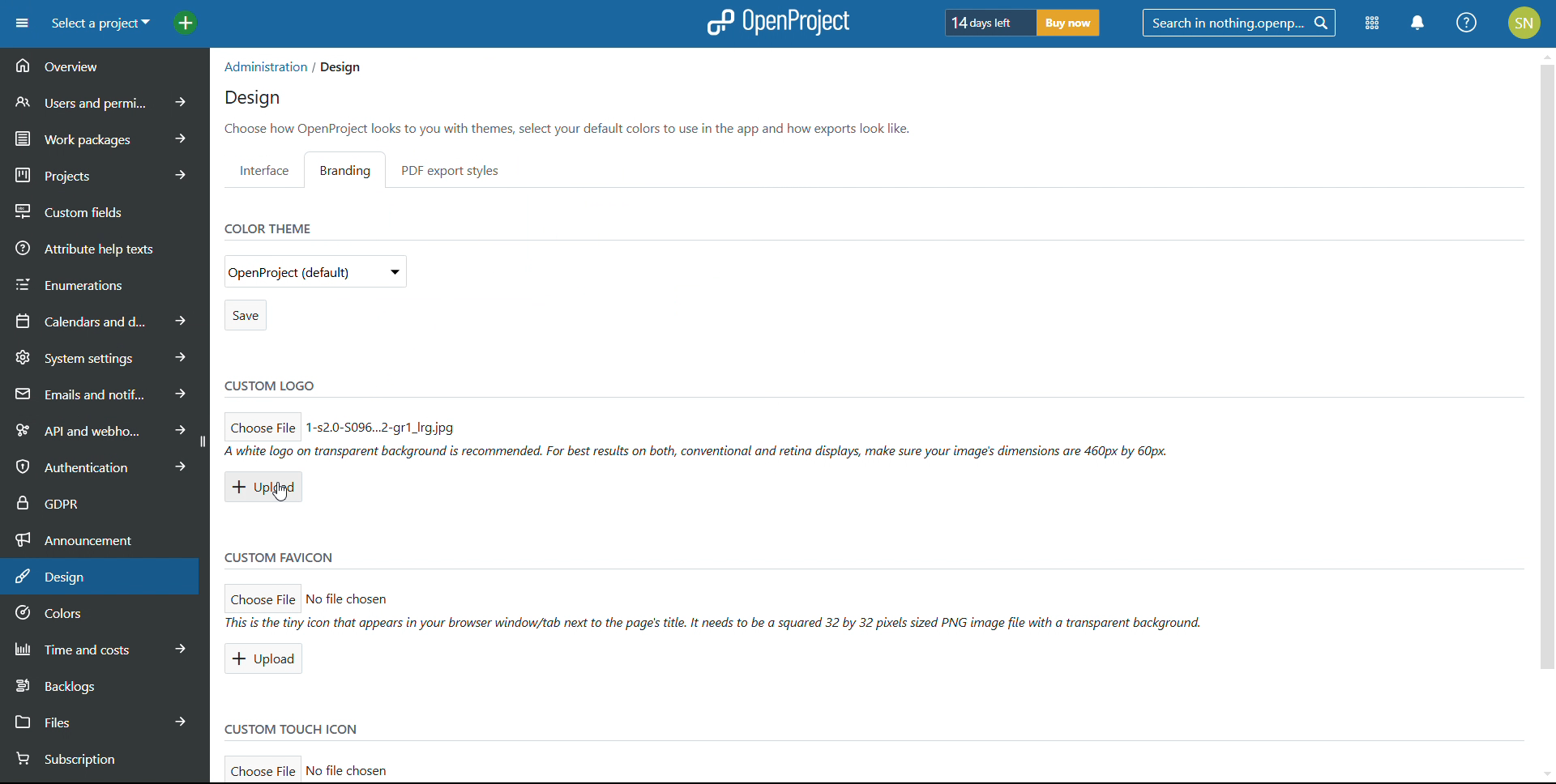  Describe the element at coordinates (105, 247) in the screenshot. I see `attribute help texts` at that location.